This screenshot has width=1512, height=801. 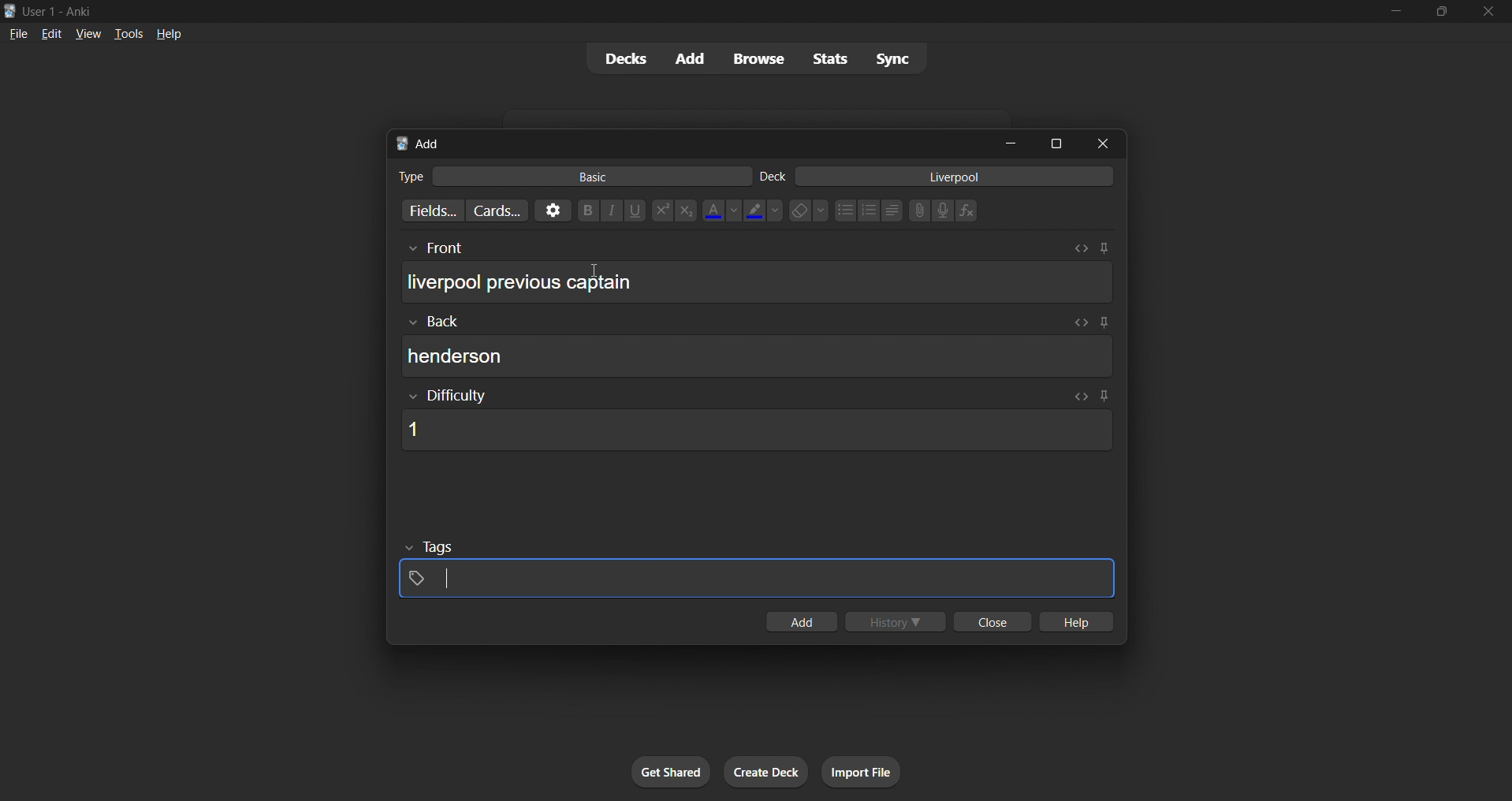 What do you see at coordinates (47, 32) in the screenshot?
I see `edit` at bounding box center [47, 32].